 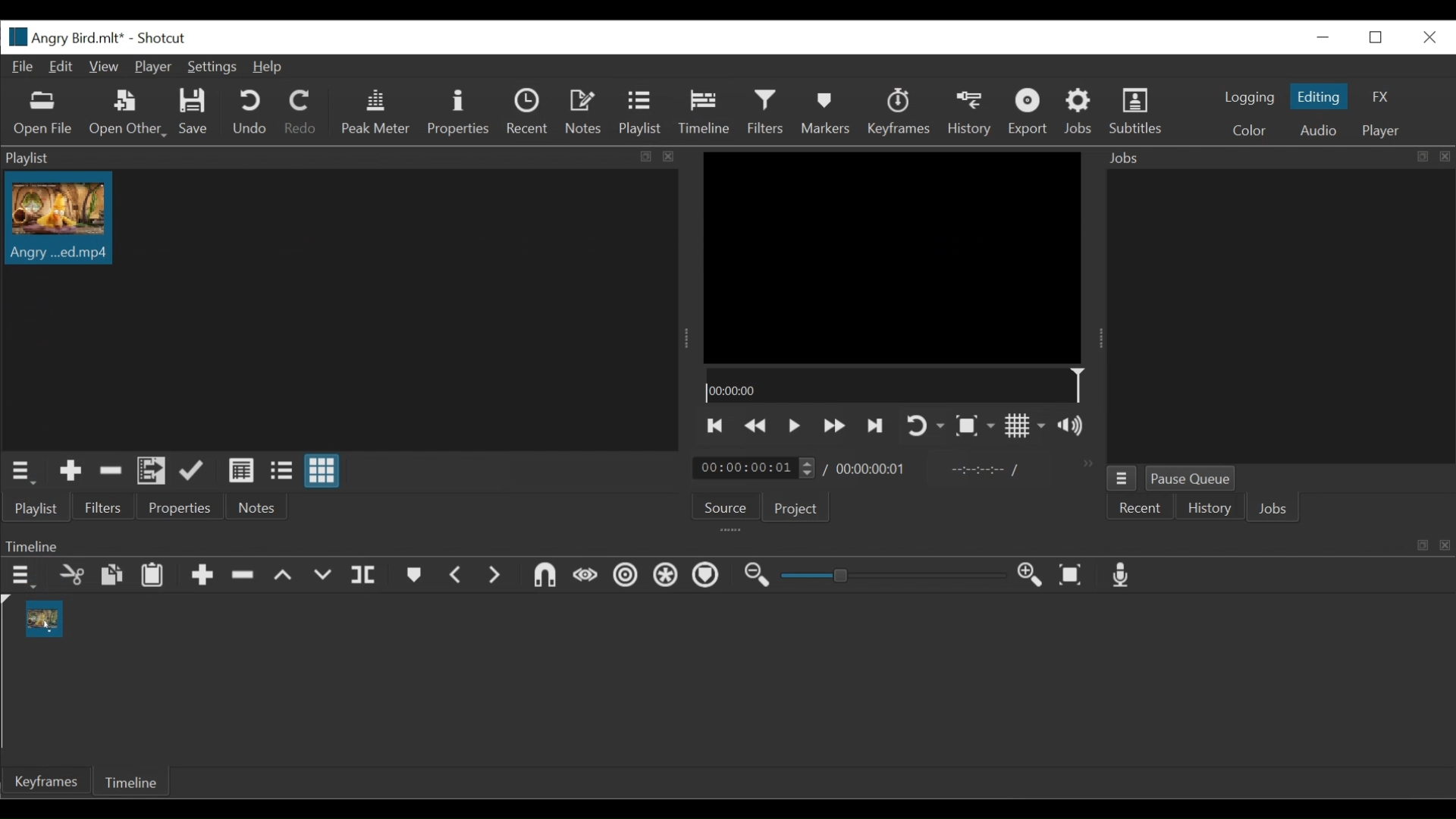 What do you see at coordinates (111, 472) in the screenshot?
I see `Remove cut` at bounding box center [111, 472].